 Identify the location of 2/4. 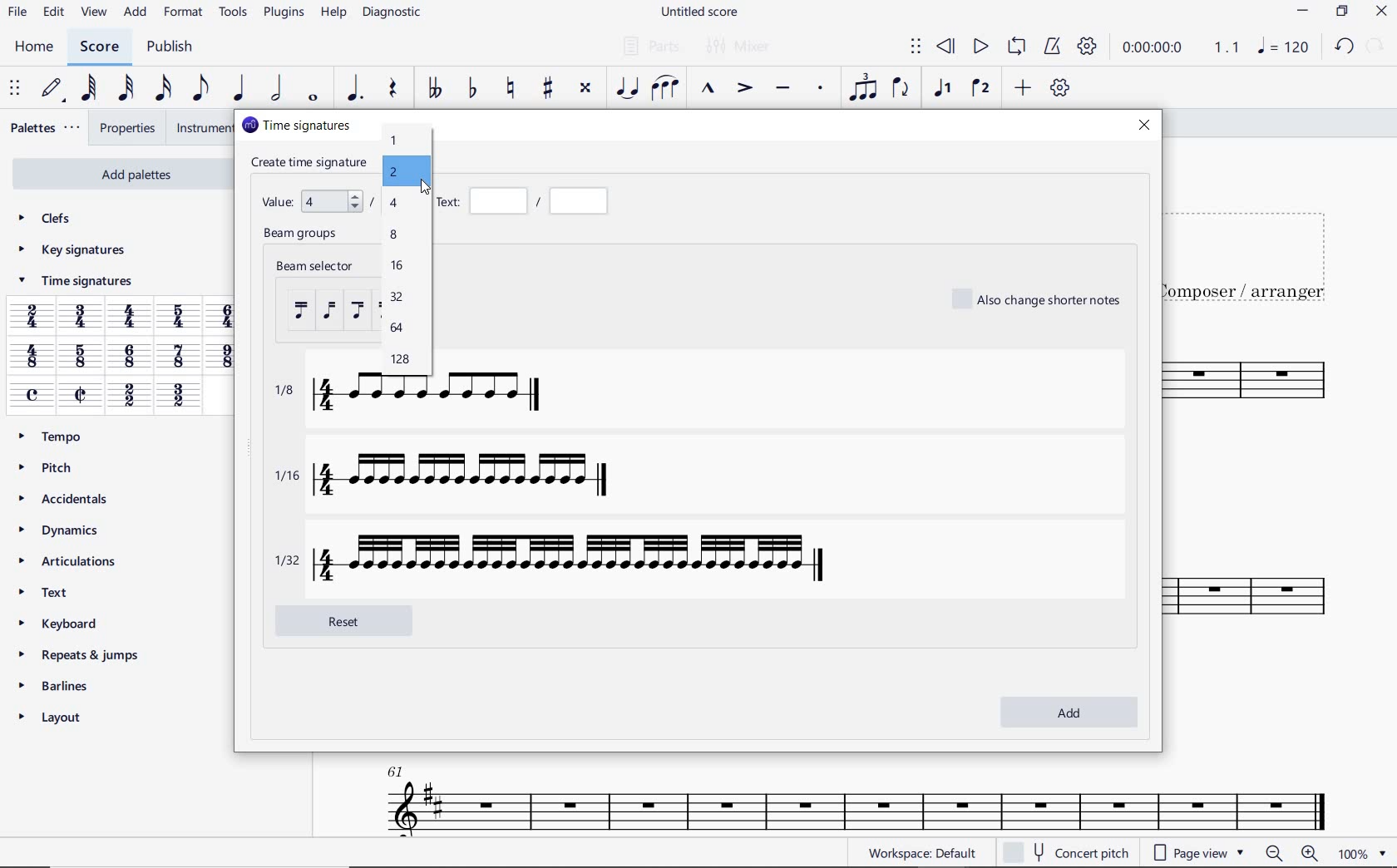
(32, 316).